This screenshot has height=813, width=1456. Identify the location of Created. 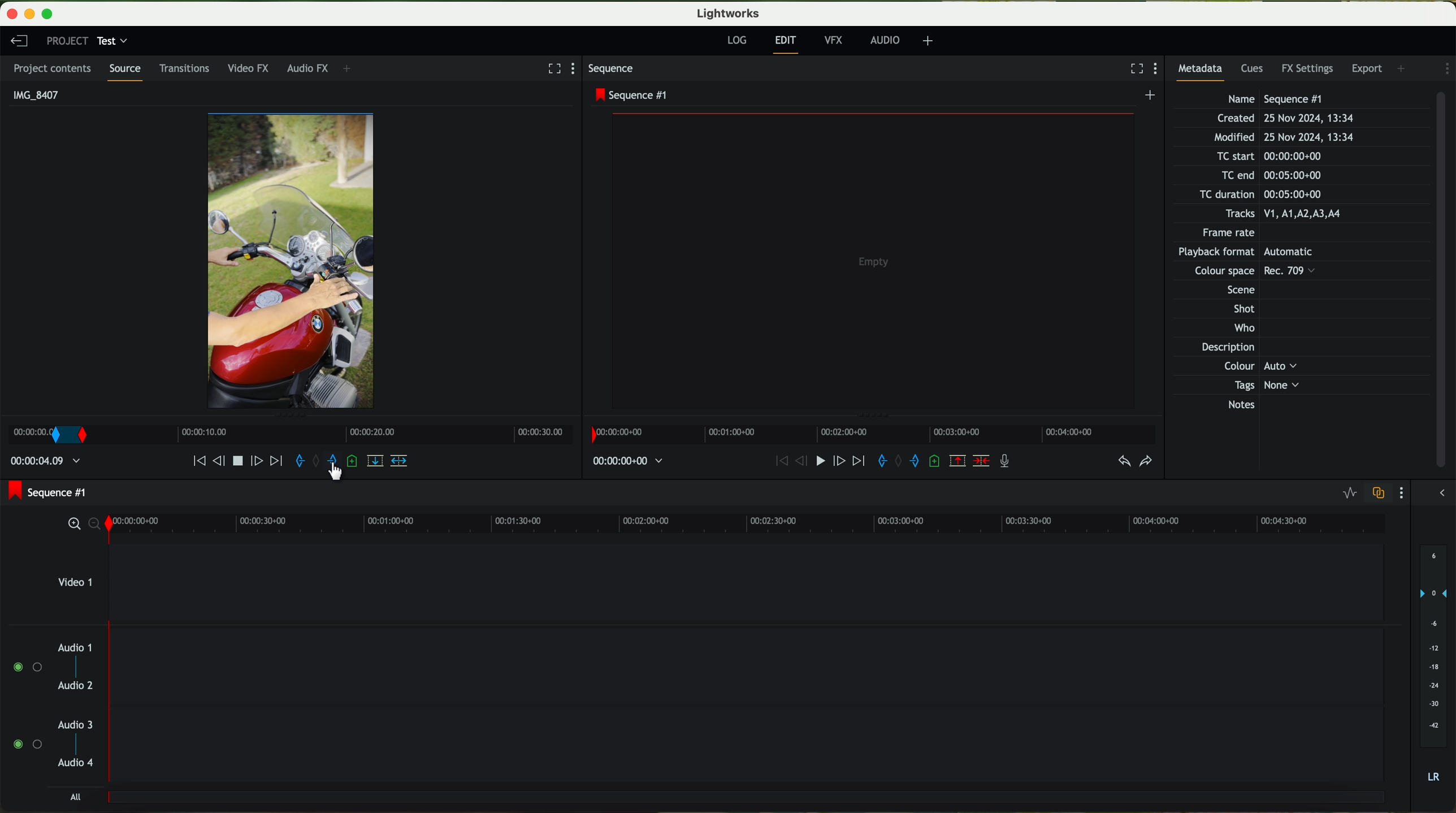
(1285, 119).